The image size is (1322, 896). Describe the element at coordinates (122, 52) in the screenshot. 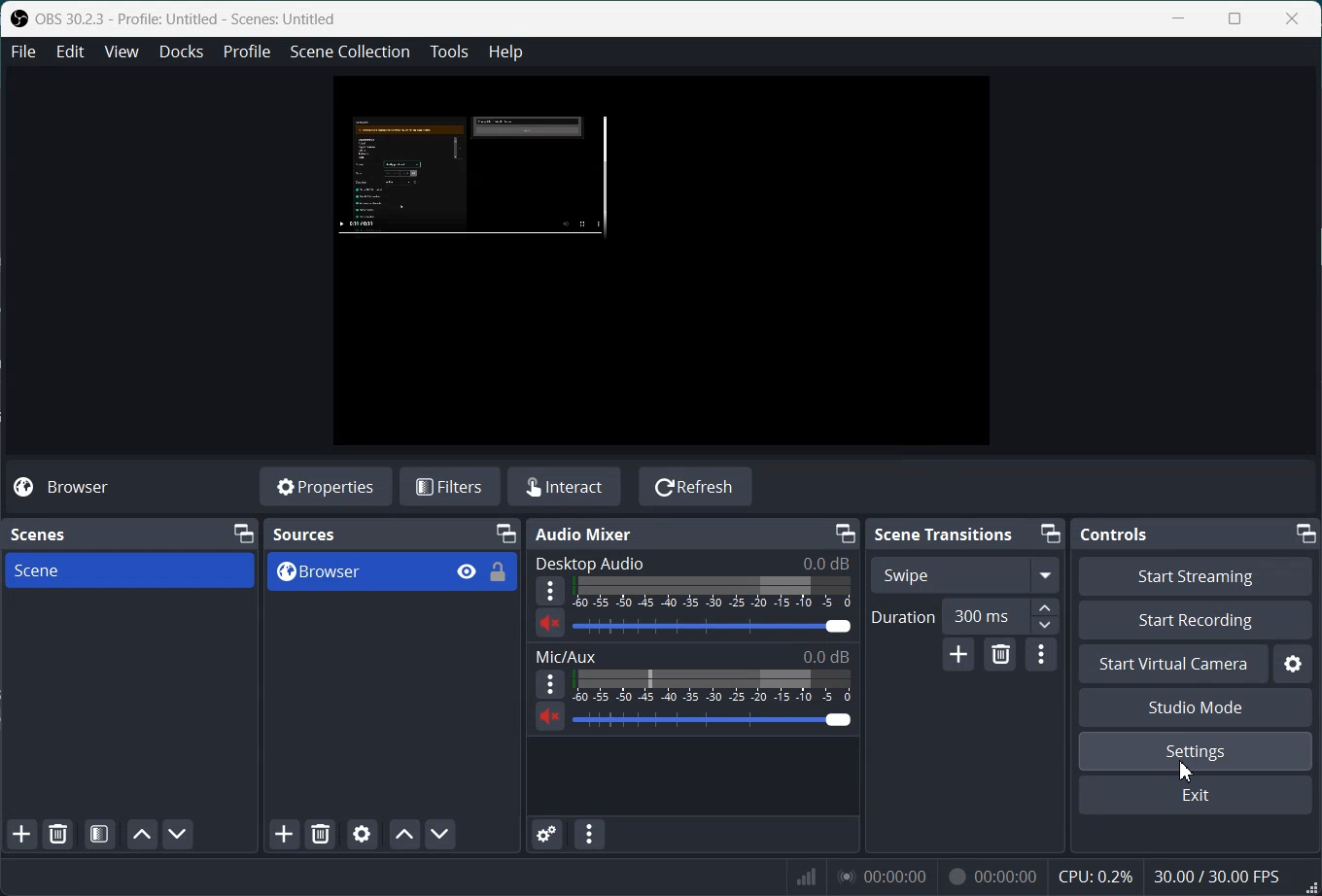

I see `View` at that location.